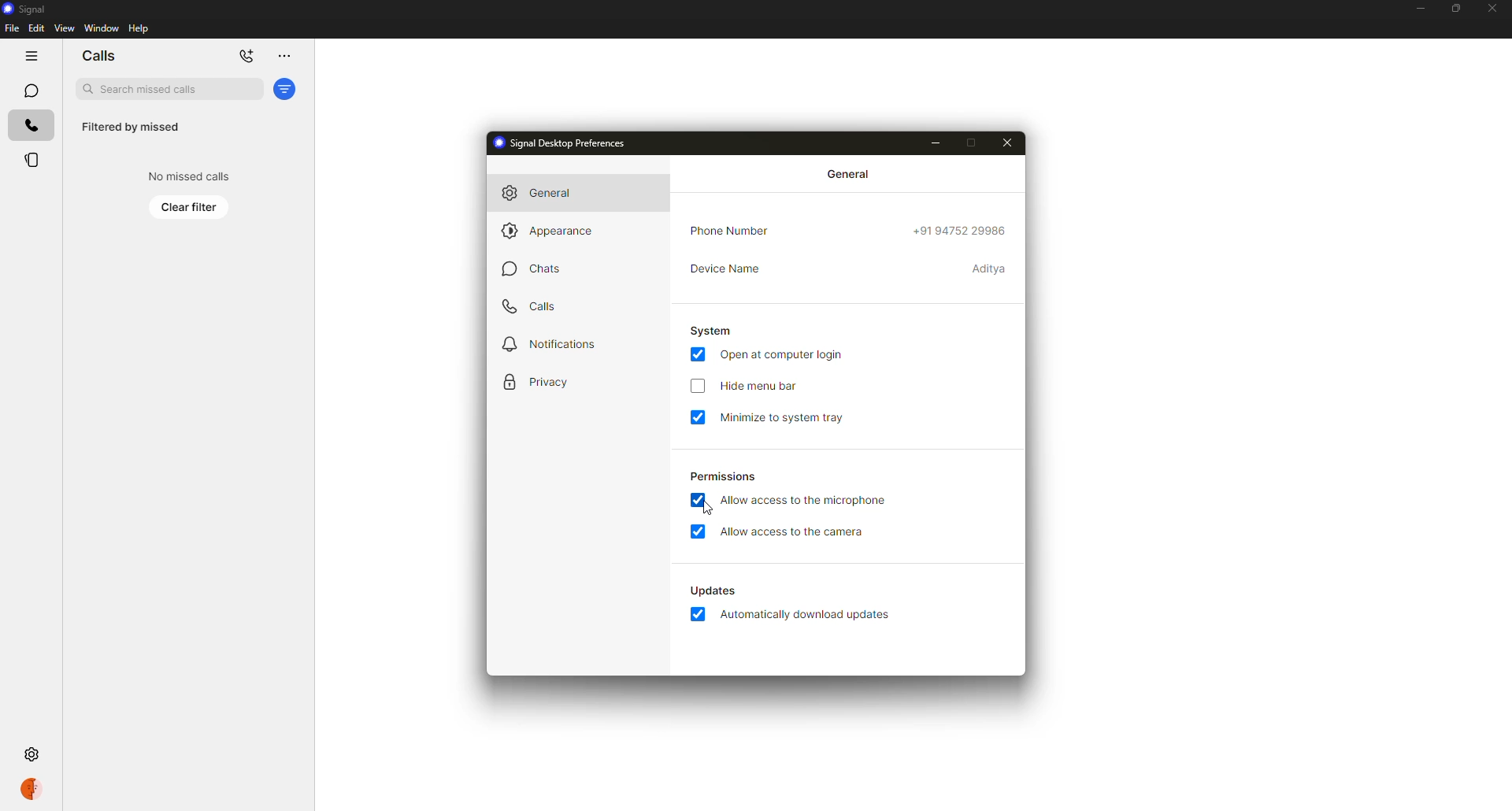 This screenshot has width=1512, height=811. Describe the element at coordinates (806, 500) in the screenshot. I see `allow access to microphone` at that location.